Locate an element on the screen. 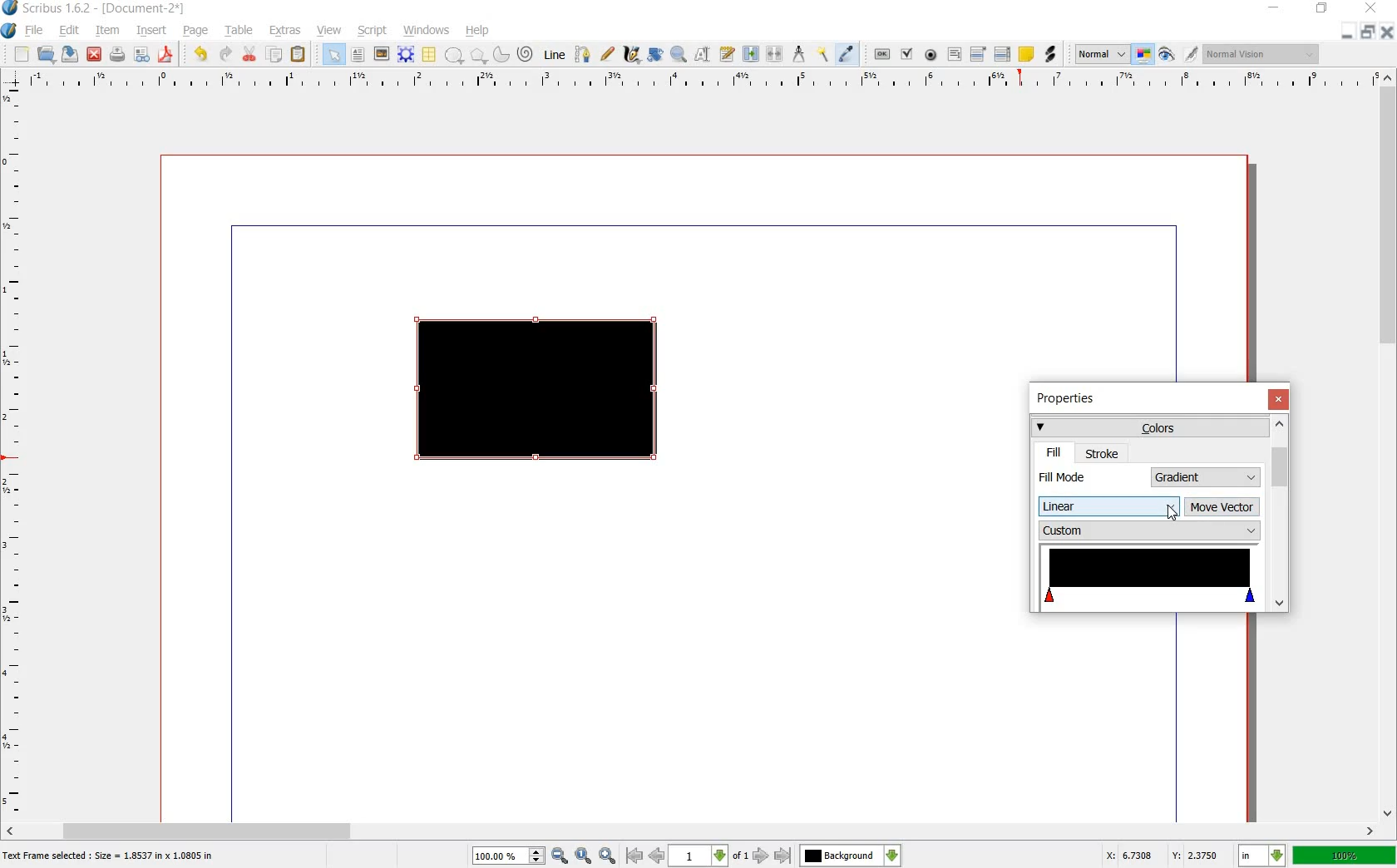 The height and width of the screenshot is (868, 1397). 100% is located at coordinates (1345, 855).